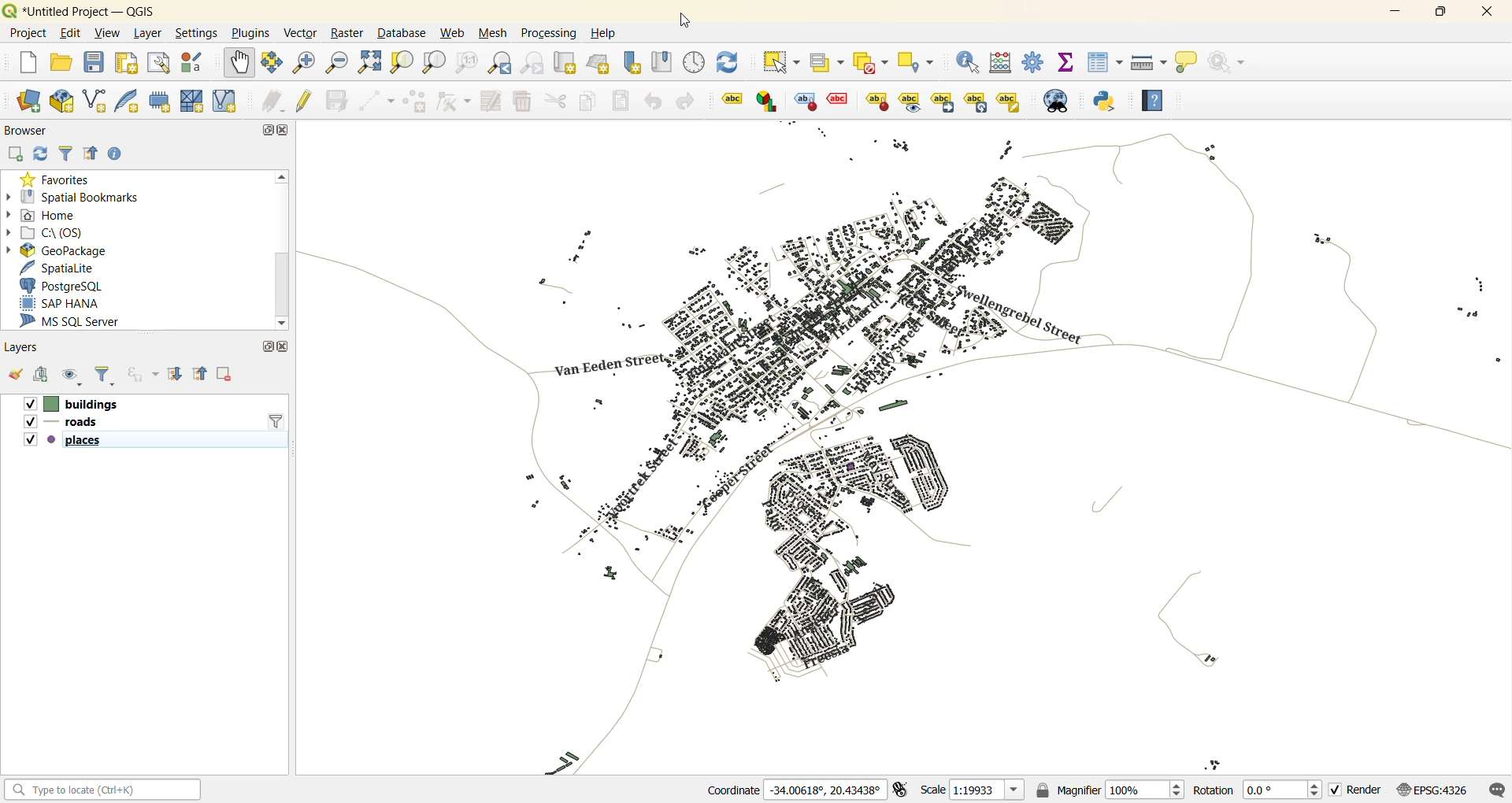  What do you see at coordinates (154, 63) in the screenshot?
I see `show layout` at bounding box center [154, 63].